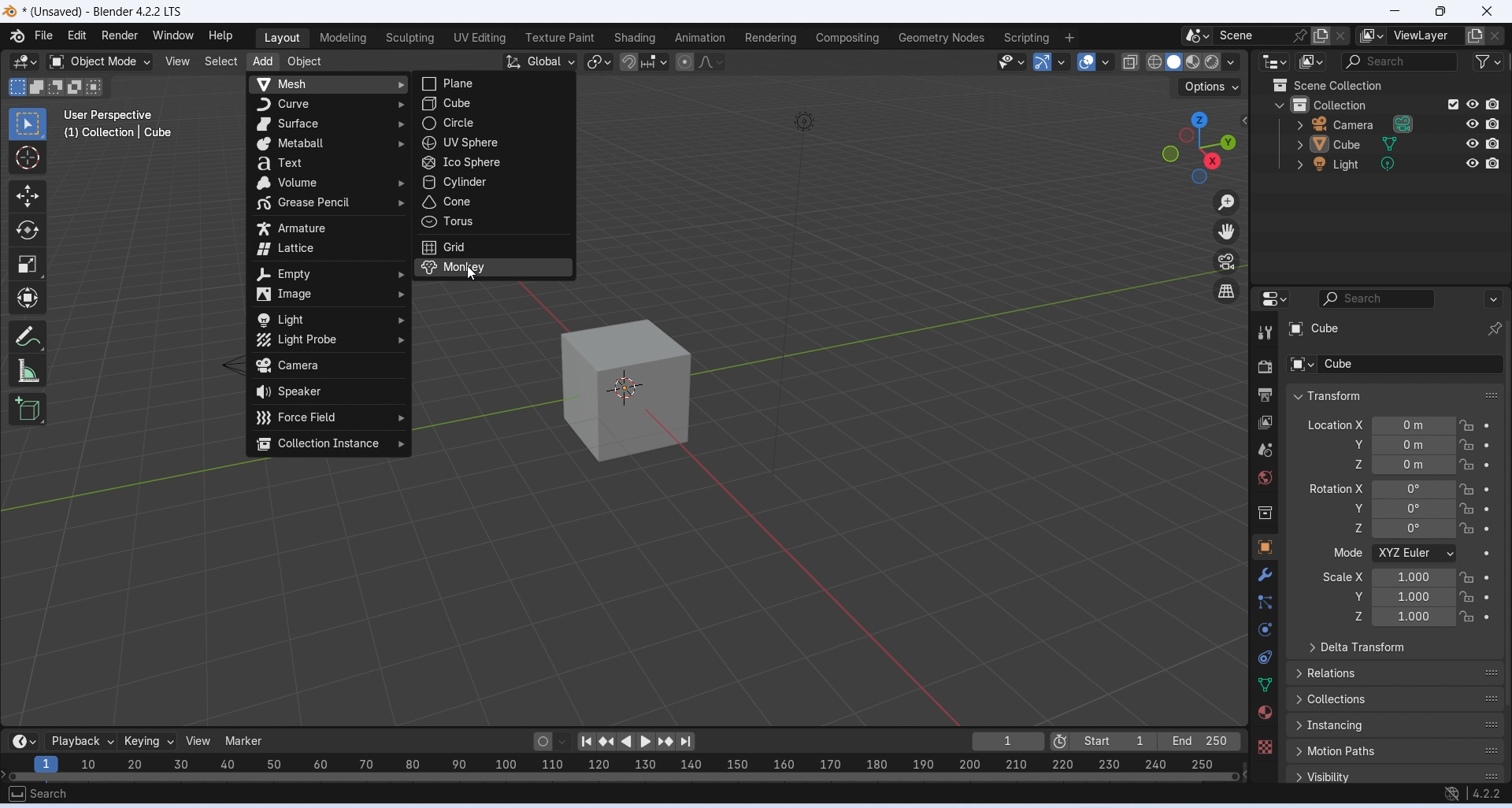  Describe the element at coordinates (1467, 578) in the screenshot. I see `lock location` at that location.